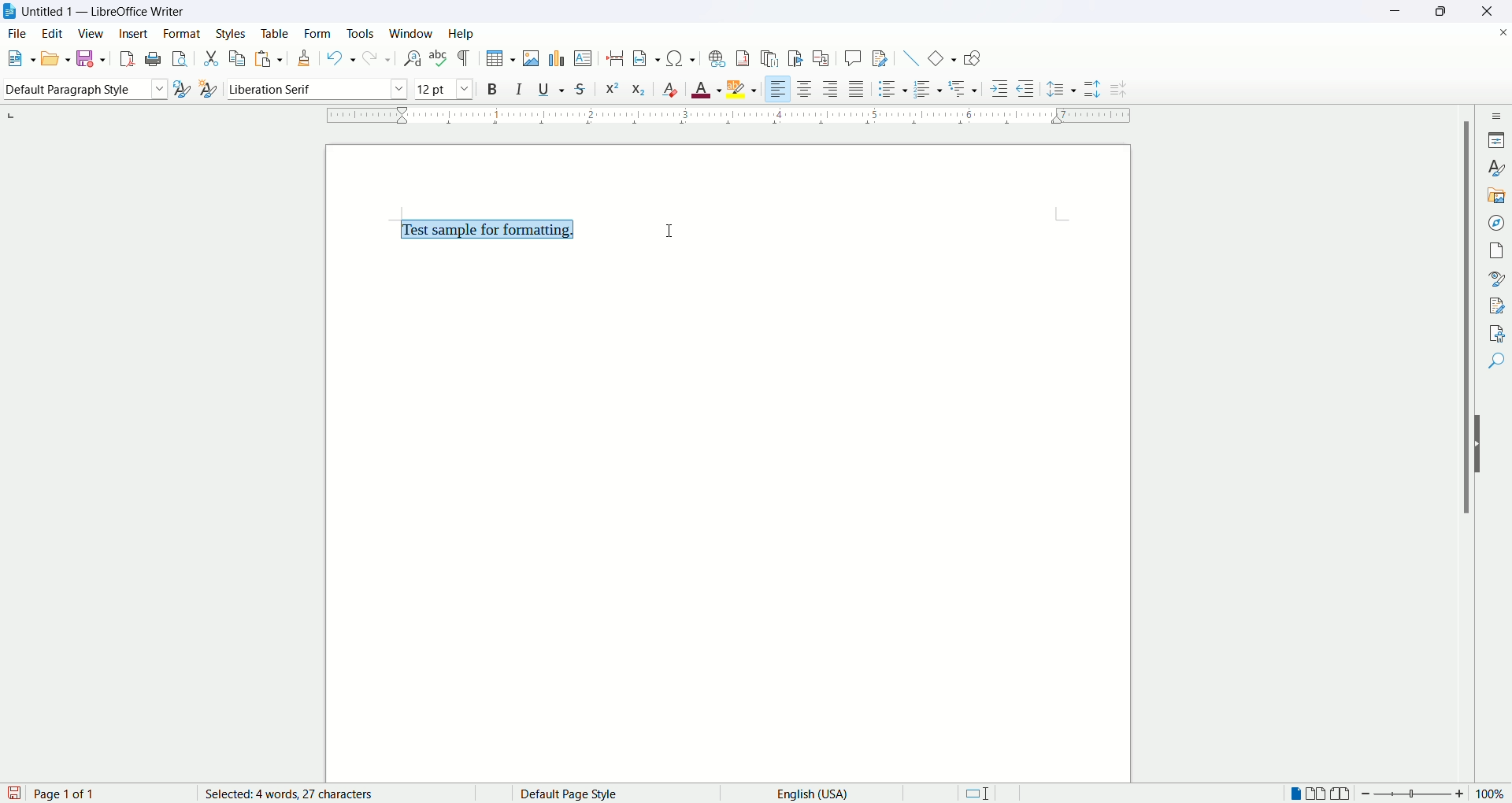 The height and width of the screenshot is (803, 1512). I want to click on set line spacing, so click(1062, 88).